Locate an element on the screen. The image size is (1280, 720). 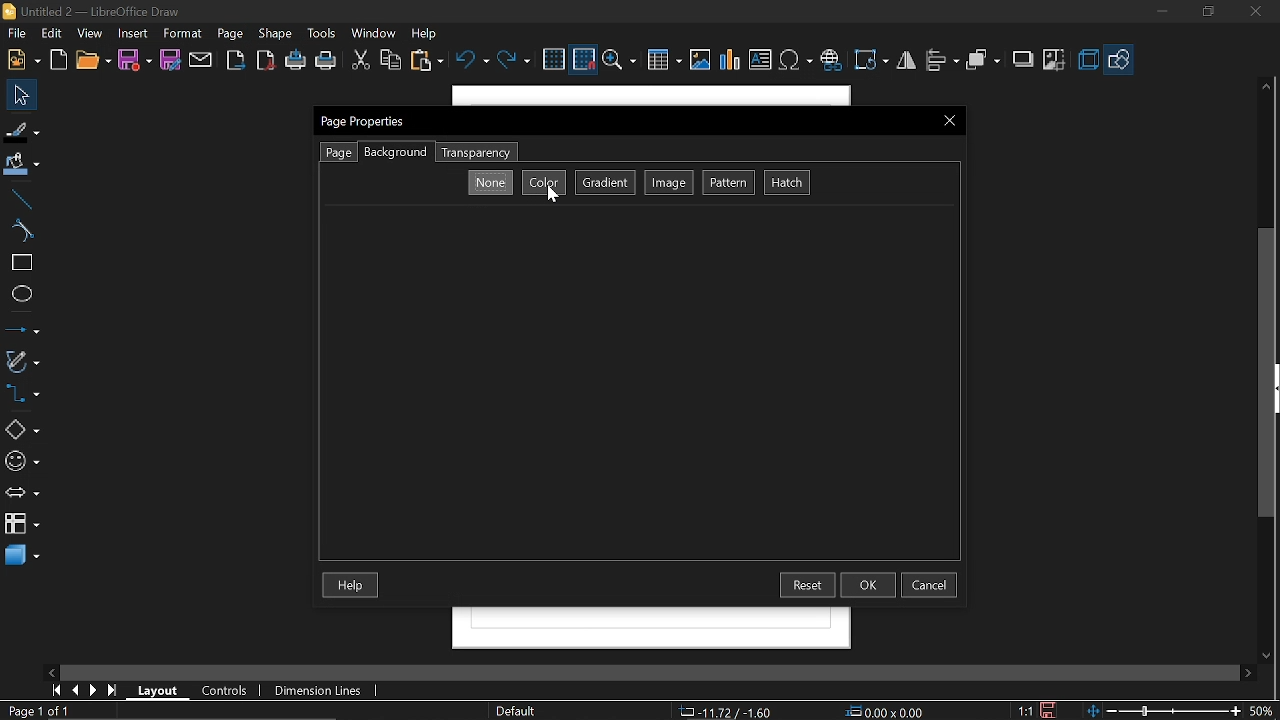
Go to first page is located at coordinates (58, 691).